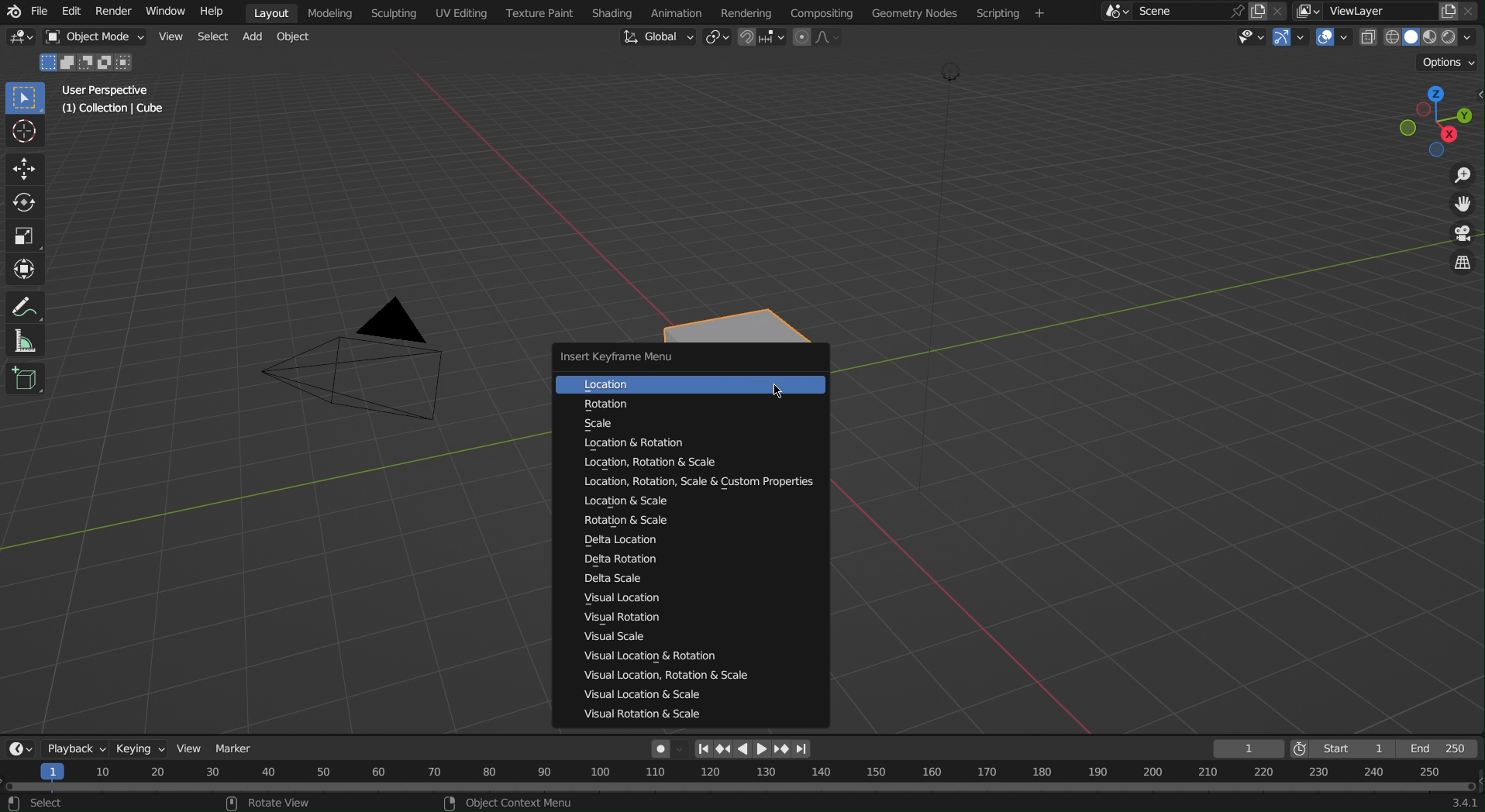  Describe the element at coordinates (239, 749) in the screenshot. I see `Marker` at that location.